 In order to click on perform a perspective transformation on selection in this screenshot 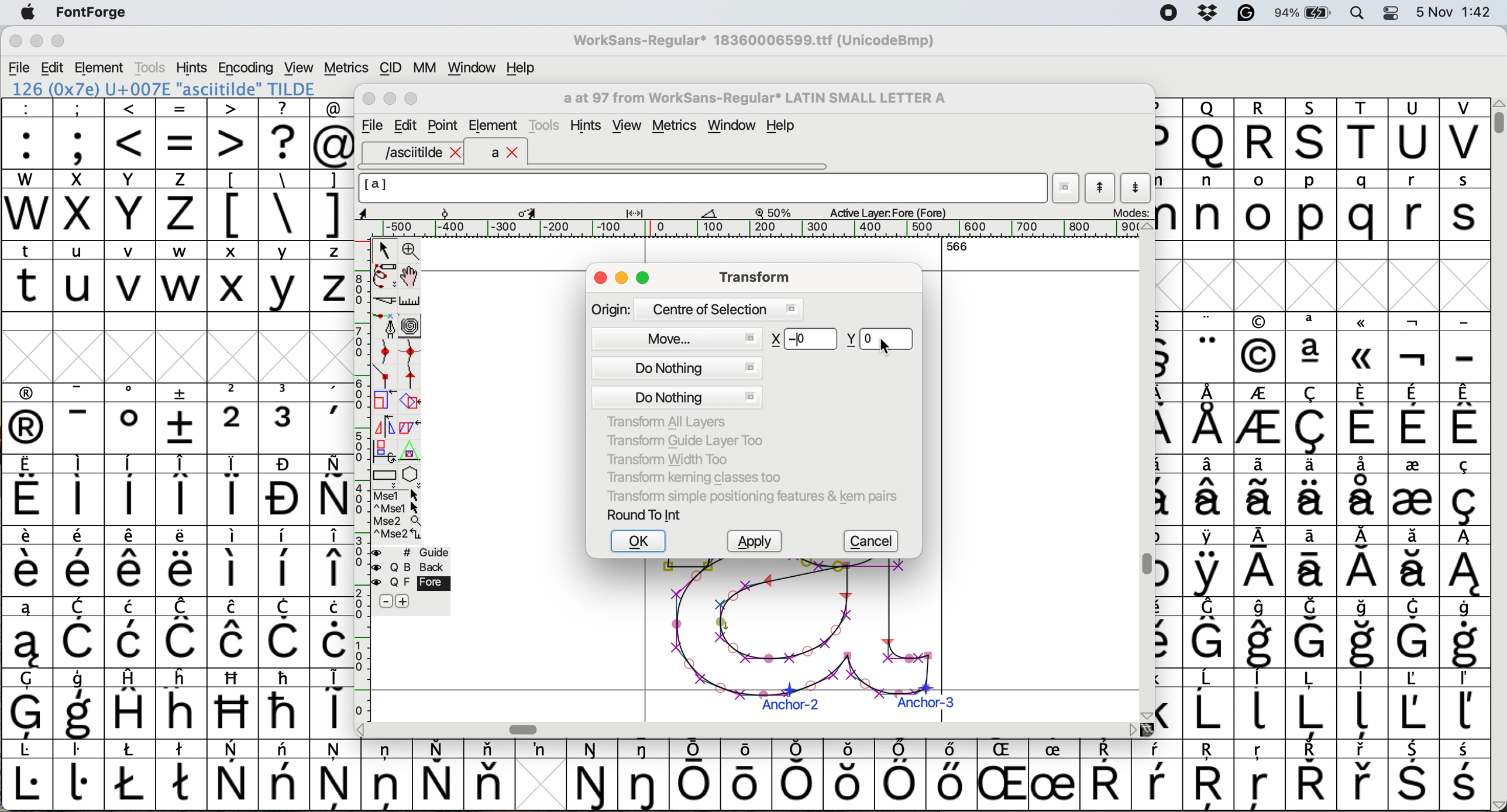, I will do `click(410, 452)`.